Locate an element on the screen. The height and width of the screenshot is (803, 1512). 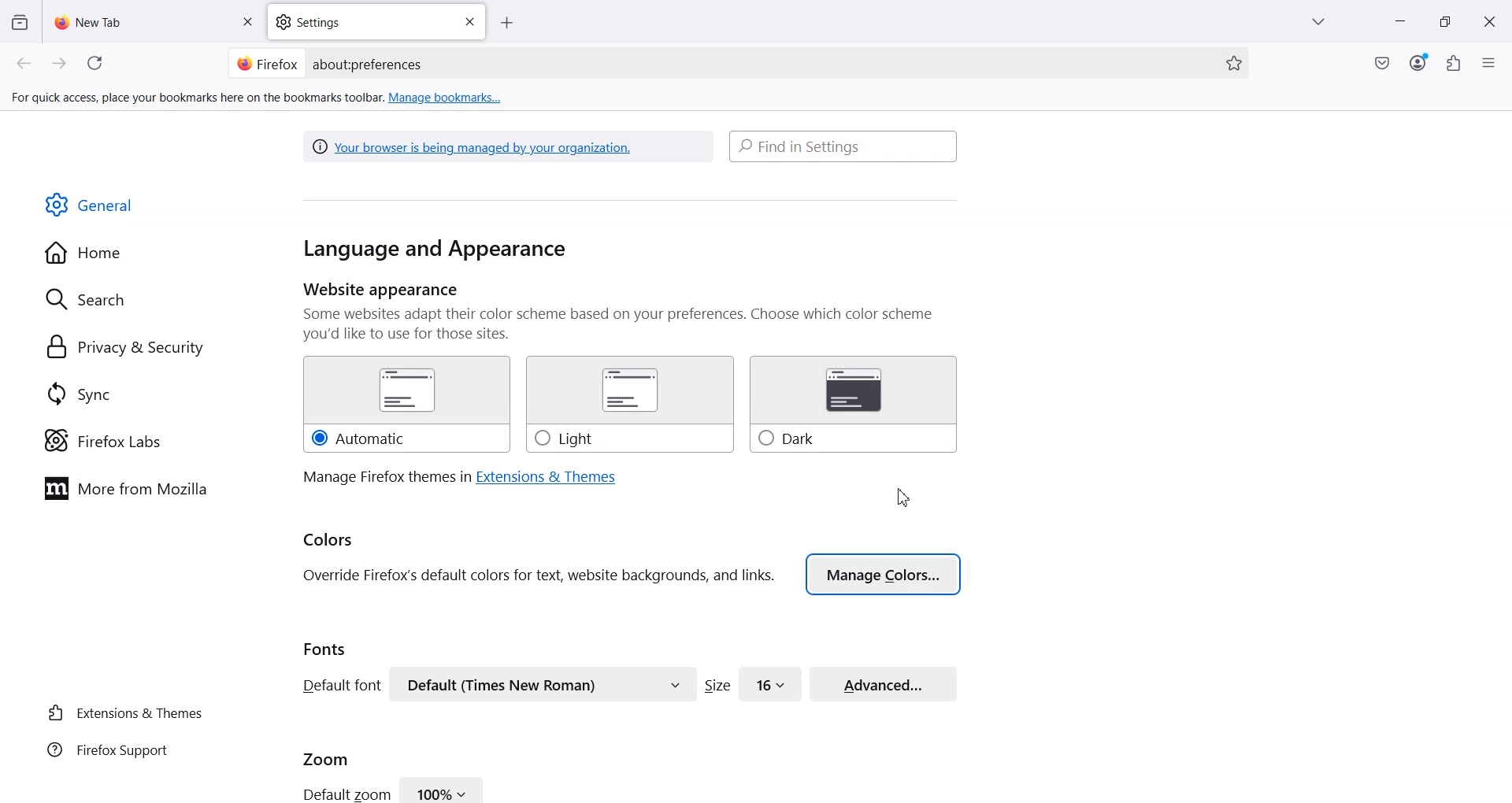
jm] More from Mozilla is located at coordinates (125, 490).